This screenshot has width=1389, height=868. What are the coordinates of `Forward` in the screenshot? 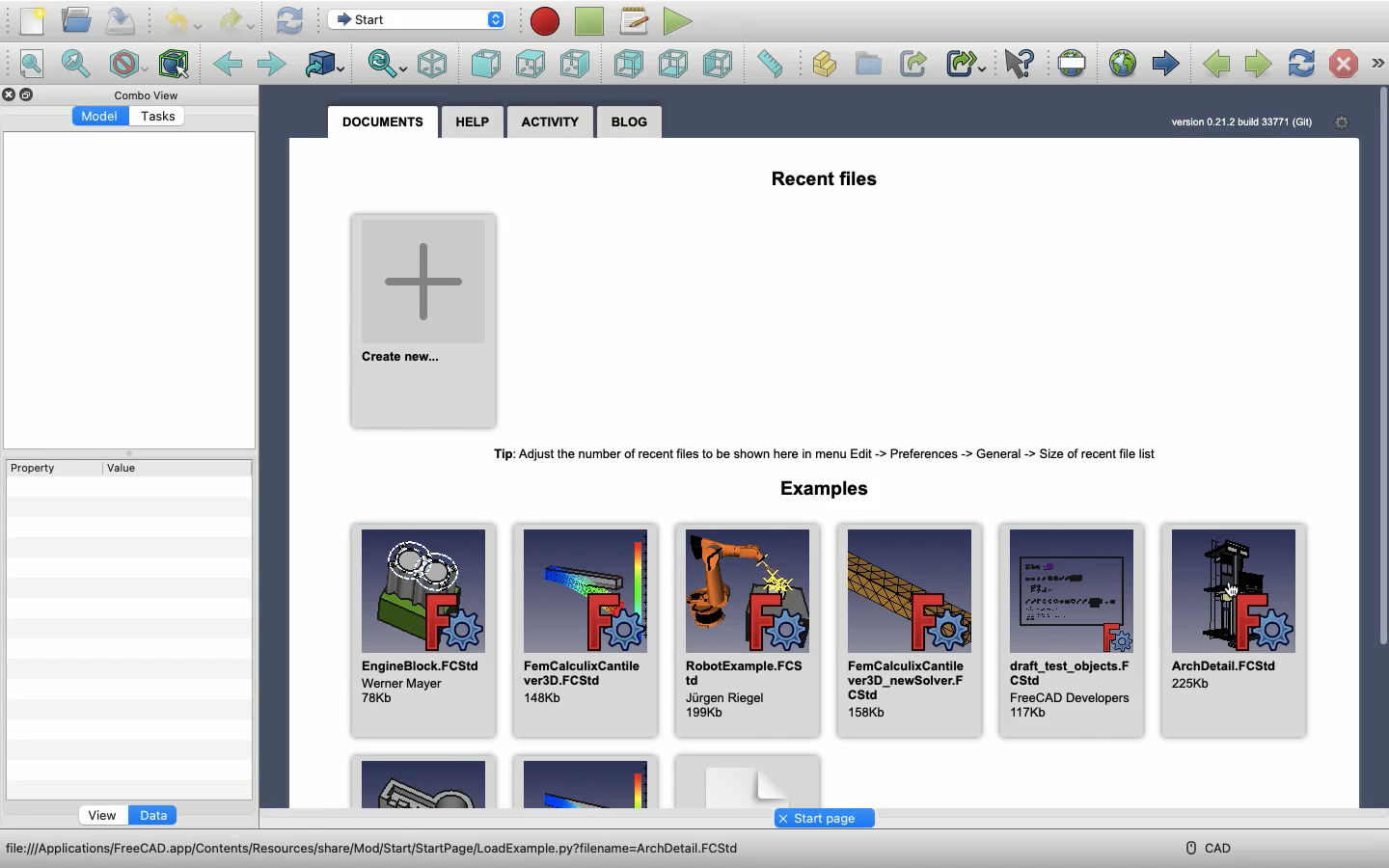 It's located at (270, 63).